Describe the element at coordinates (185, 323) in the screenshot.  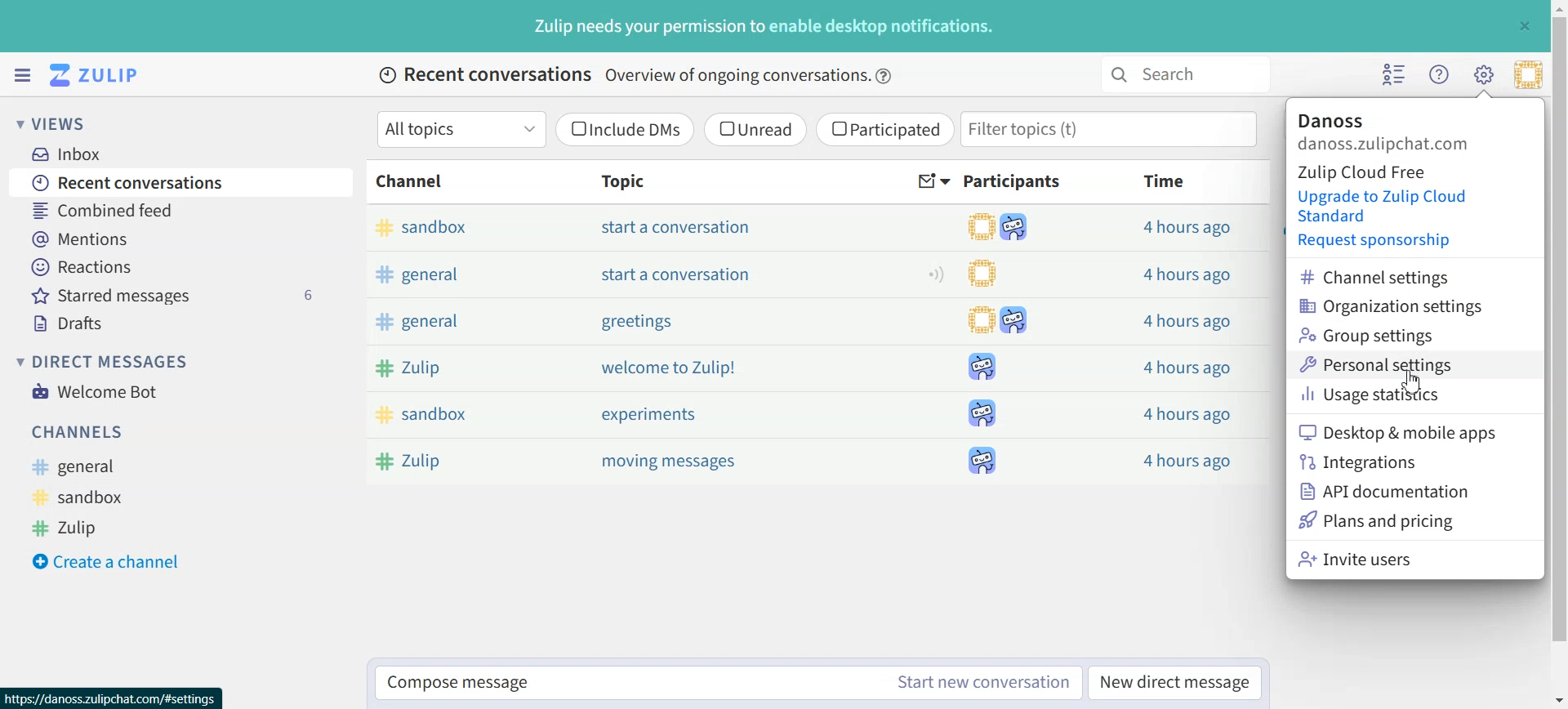
I see `Drafts` at that location.